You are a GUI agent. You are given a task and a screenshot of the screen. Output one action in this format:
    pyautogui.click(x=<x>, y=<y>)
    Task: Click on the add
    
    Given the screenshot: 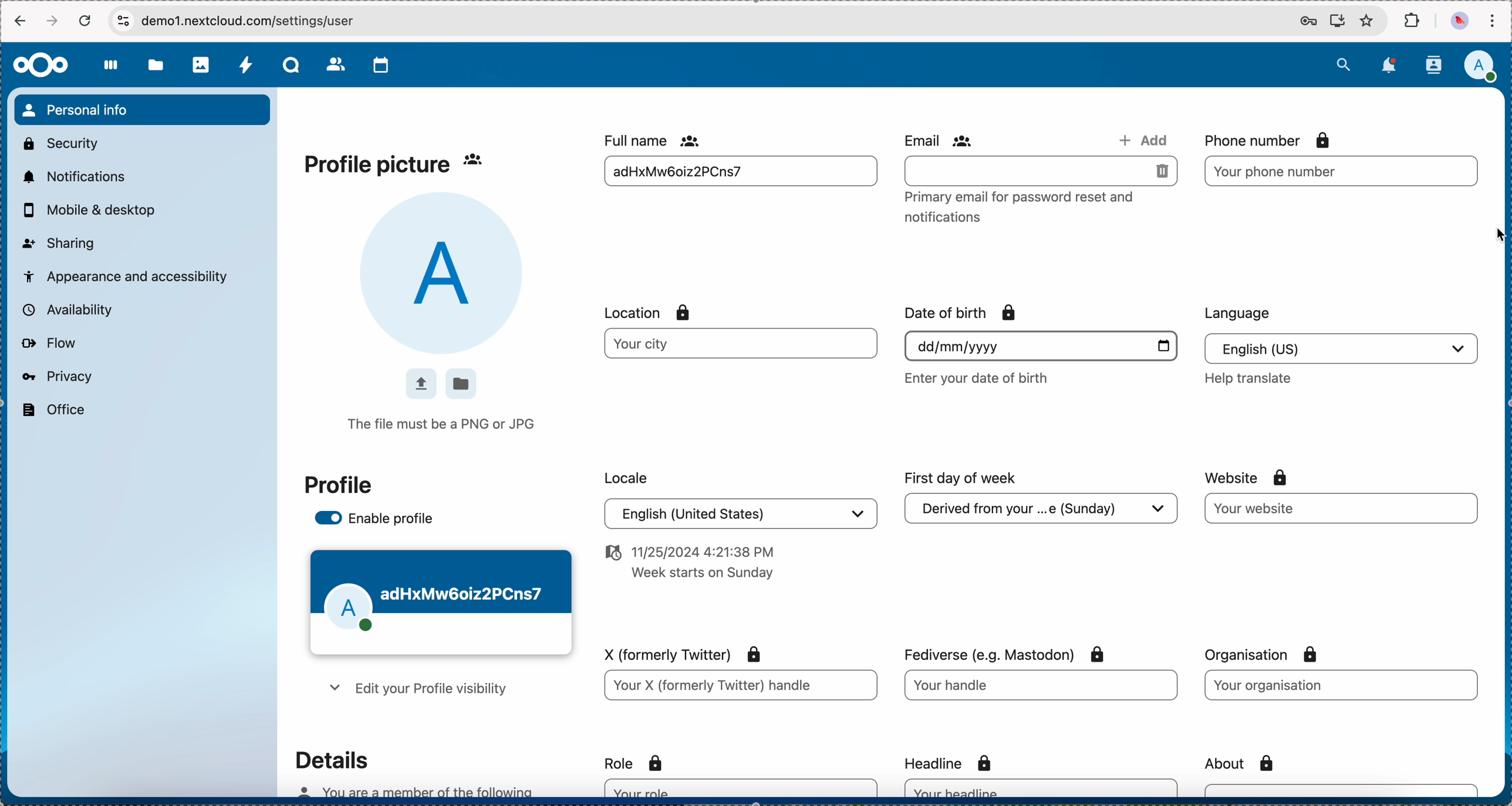 What is the action you would take?
    pyautogui.click(x=1139, y=138)
    